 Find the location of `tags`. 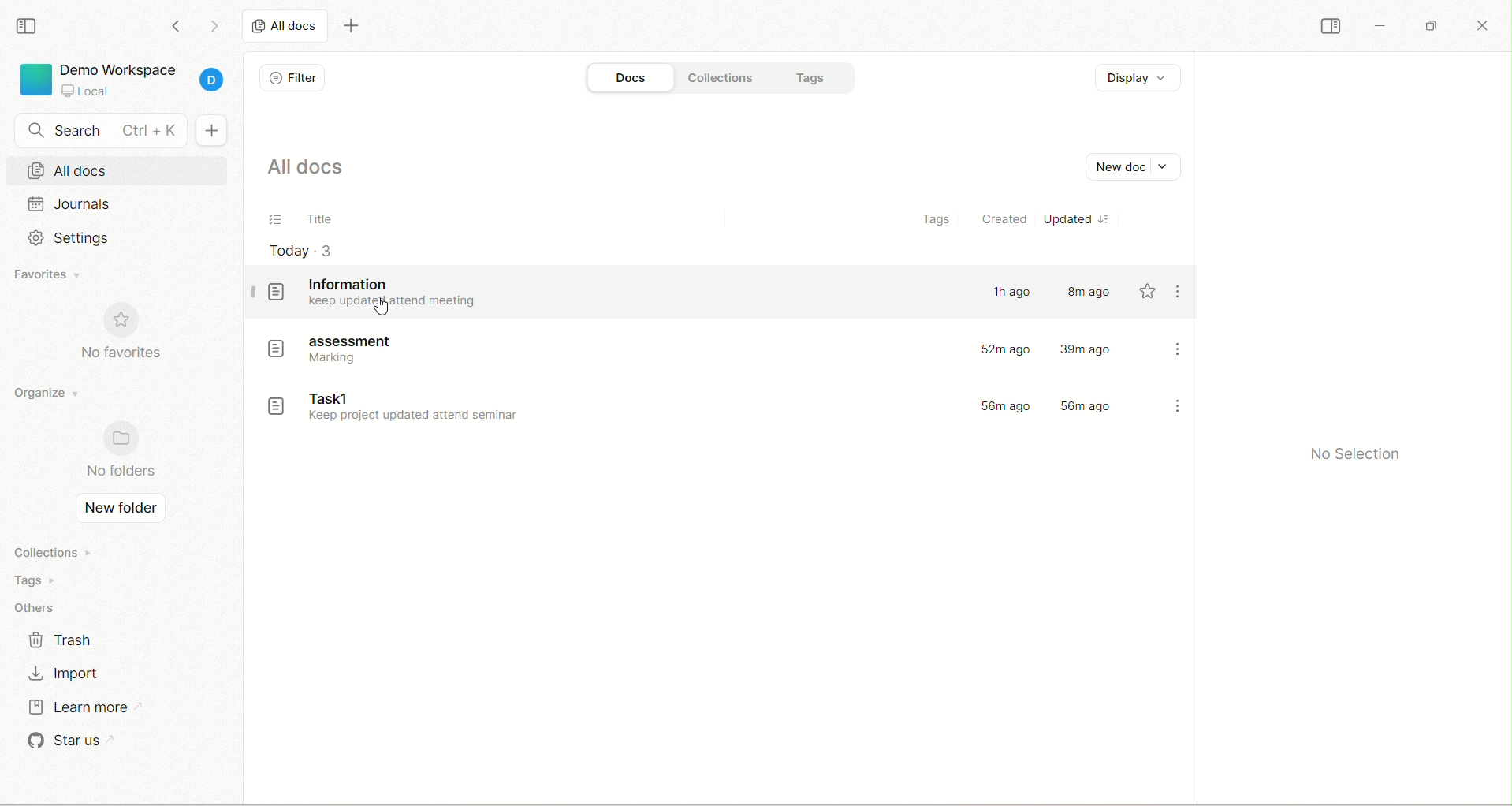

tags is located at coordinates (937, 219).